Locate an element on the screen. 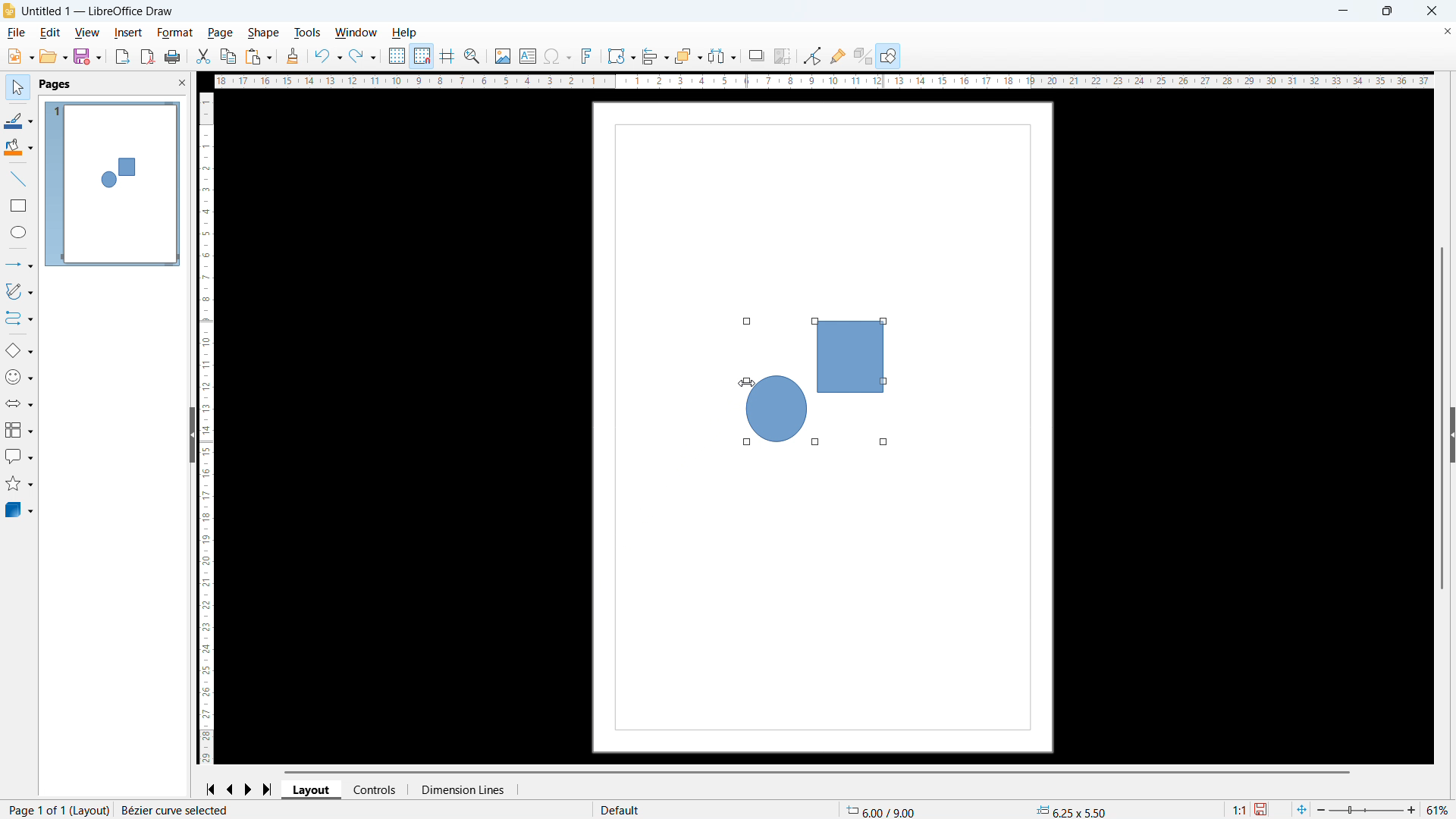  Layout  is located at coordinates (312, 790).